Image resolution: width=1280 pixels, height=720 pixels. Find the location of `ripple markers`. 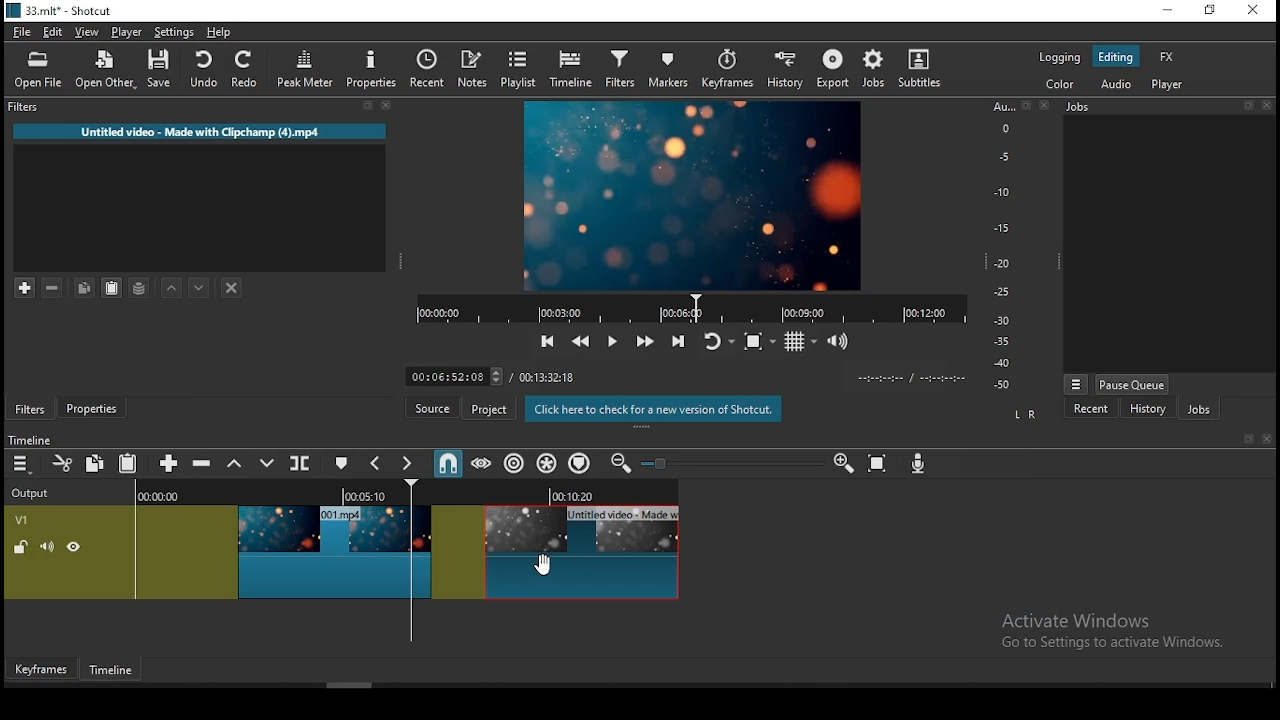

ripple markers is located at coordinates (580, 462).